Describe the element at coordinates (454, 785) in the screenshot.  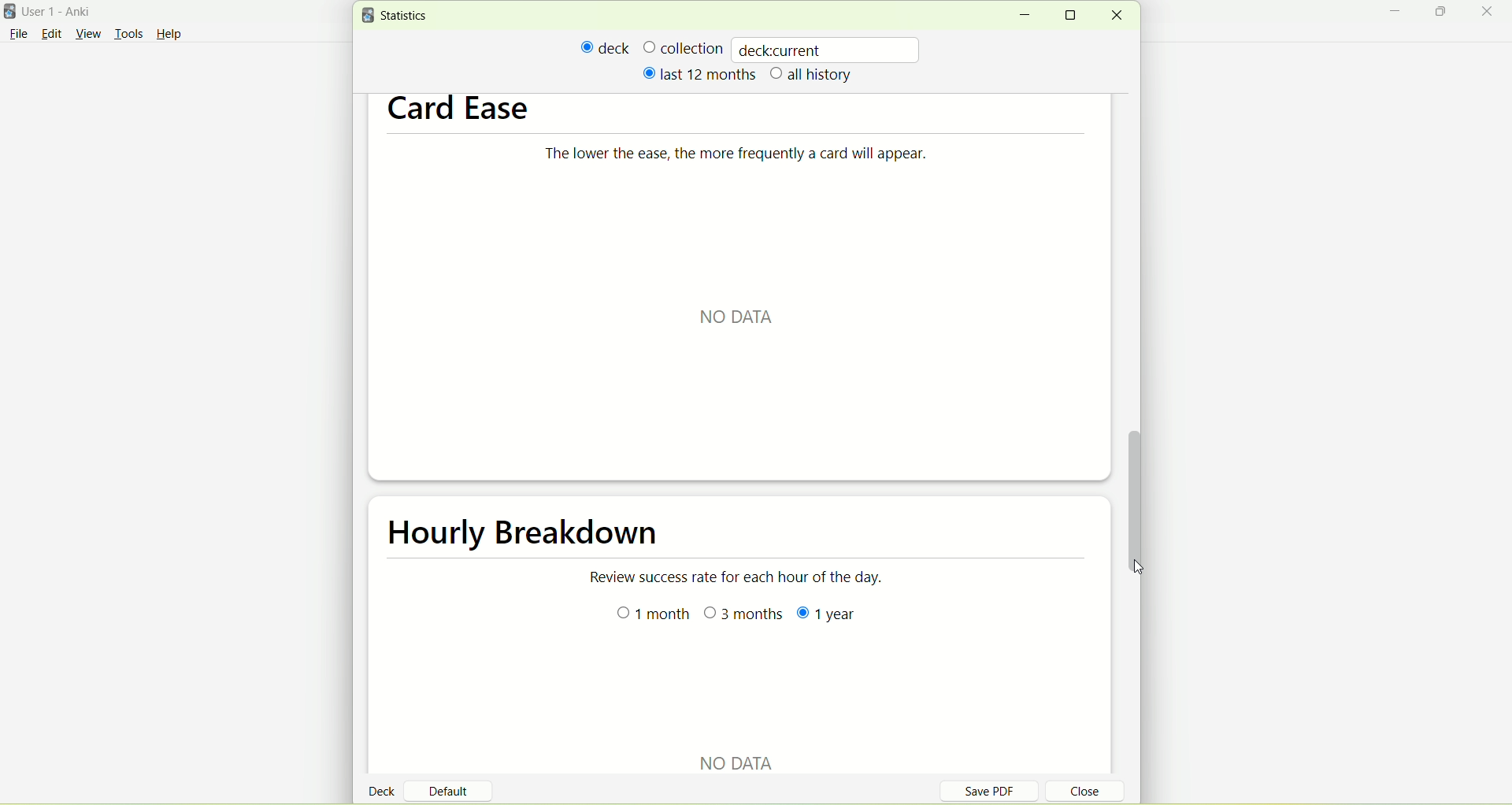
I see `default` at that location.